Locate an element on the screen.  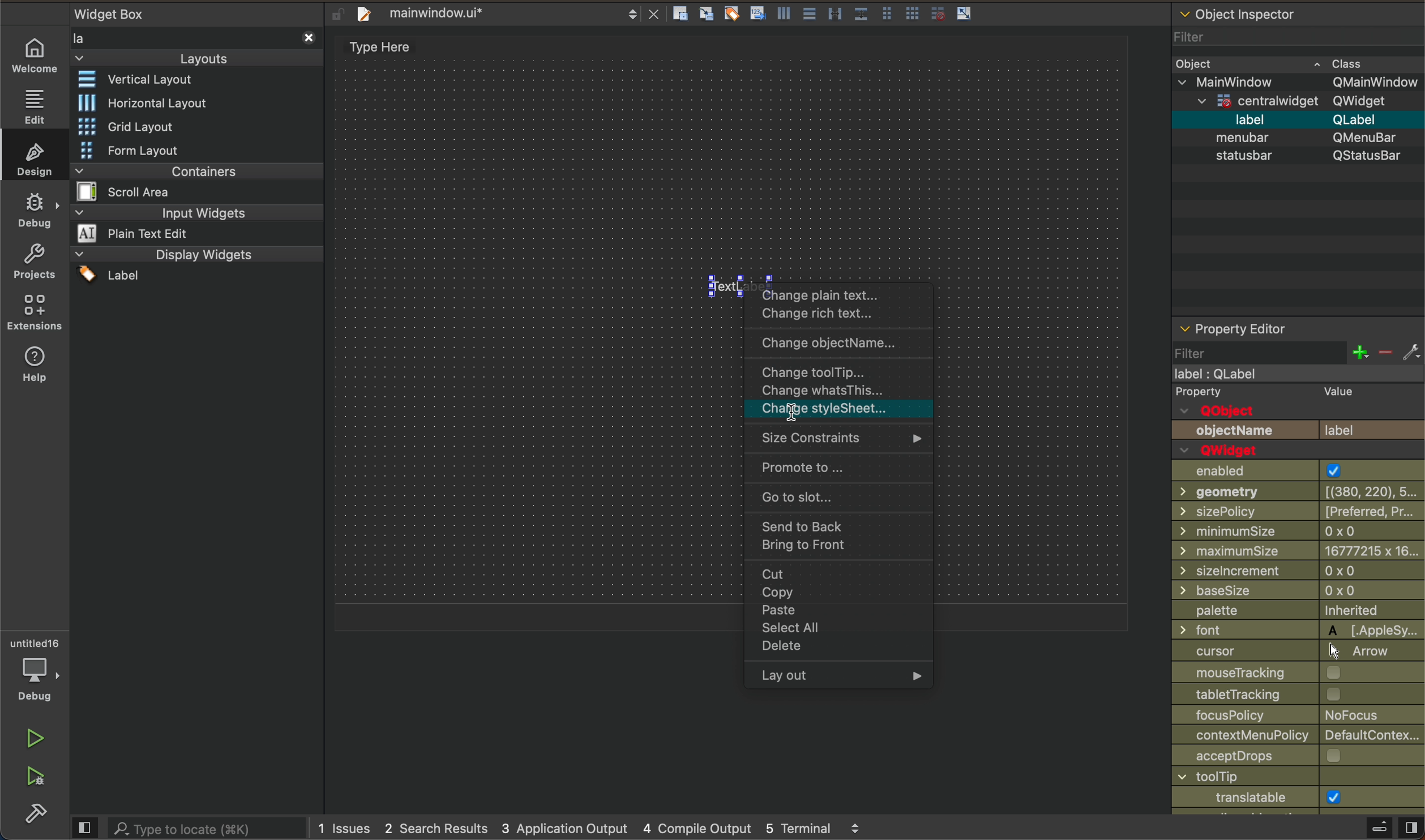
enabled is located at coordinates (1286, 471).